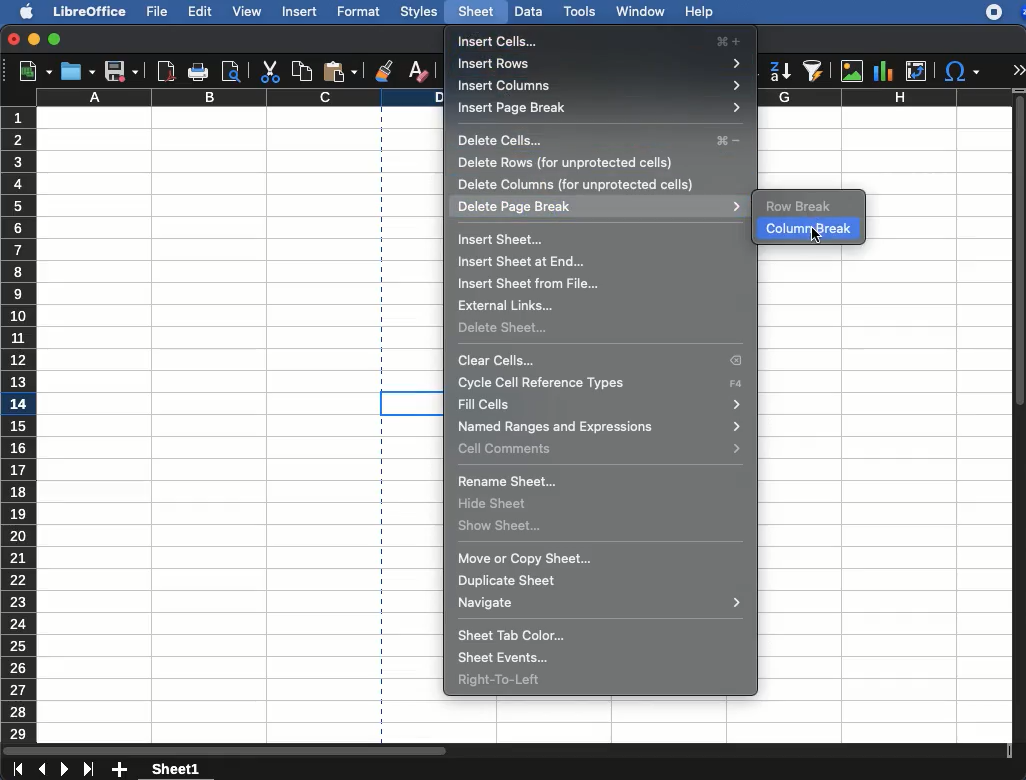 This screenshot has height=780, width=1026. What do you see at coordinates (809, 230) in the screenshot?
I see `column break` at bounding box center [809, 230].